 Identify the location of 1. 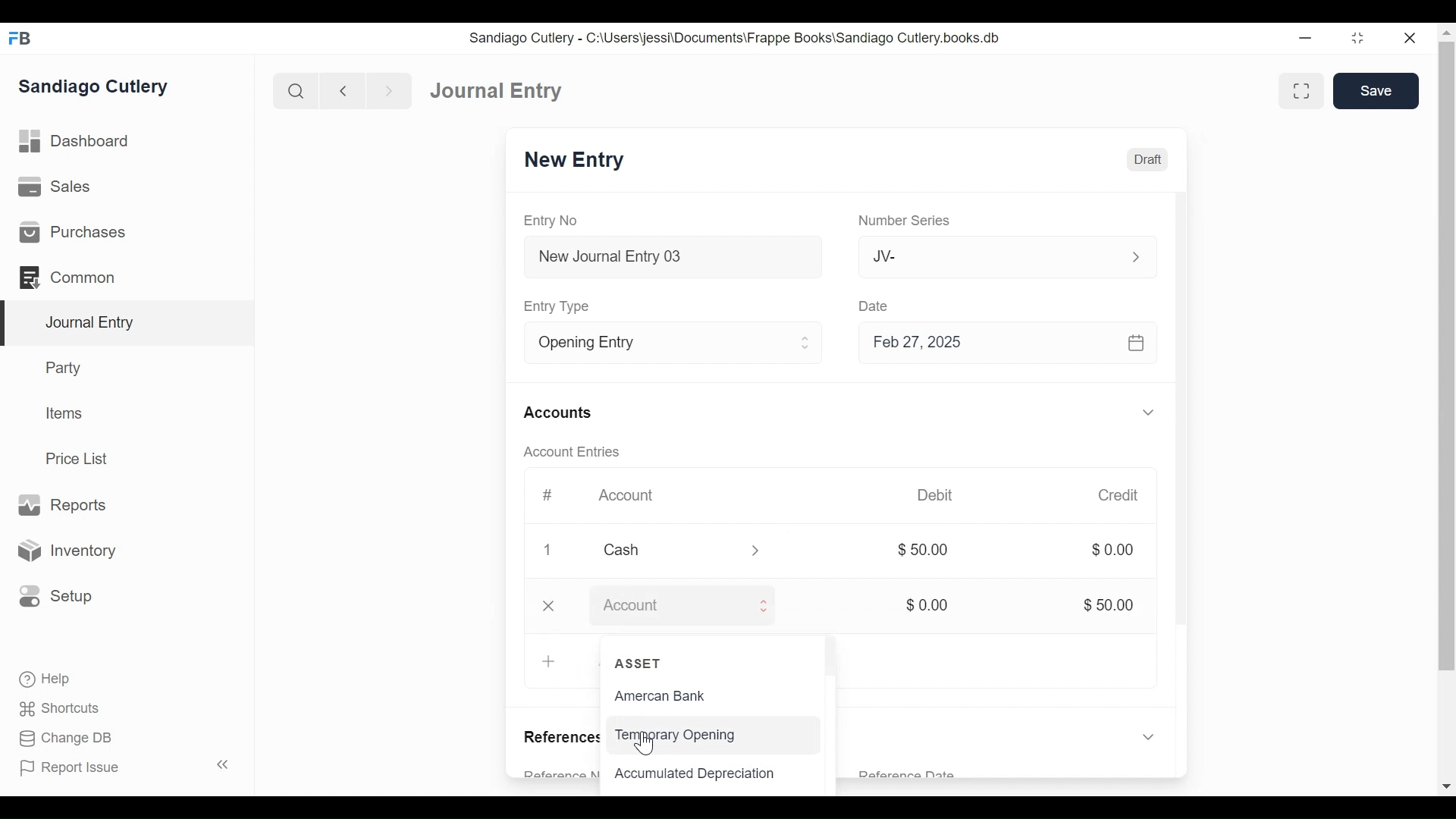
(549, 550).